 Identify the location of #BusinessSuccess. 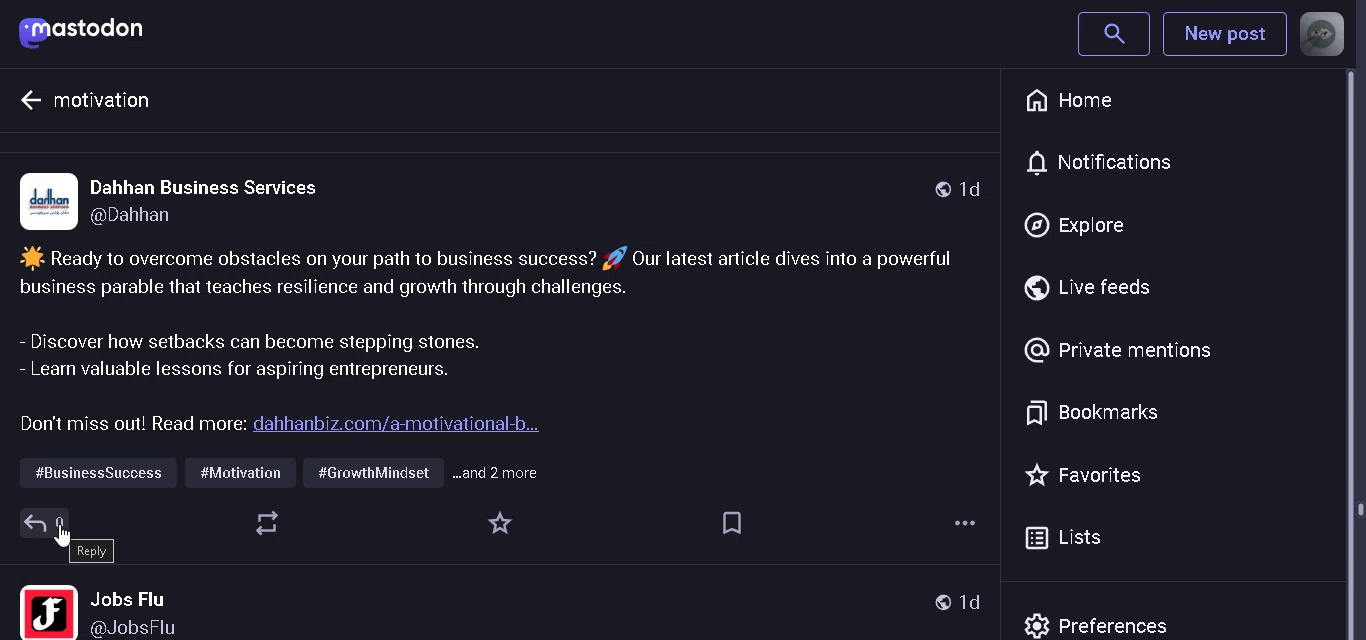
(96, 473).